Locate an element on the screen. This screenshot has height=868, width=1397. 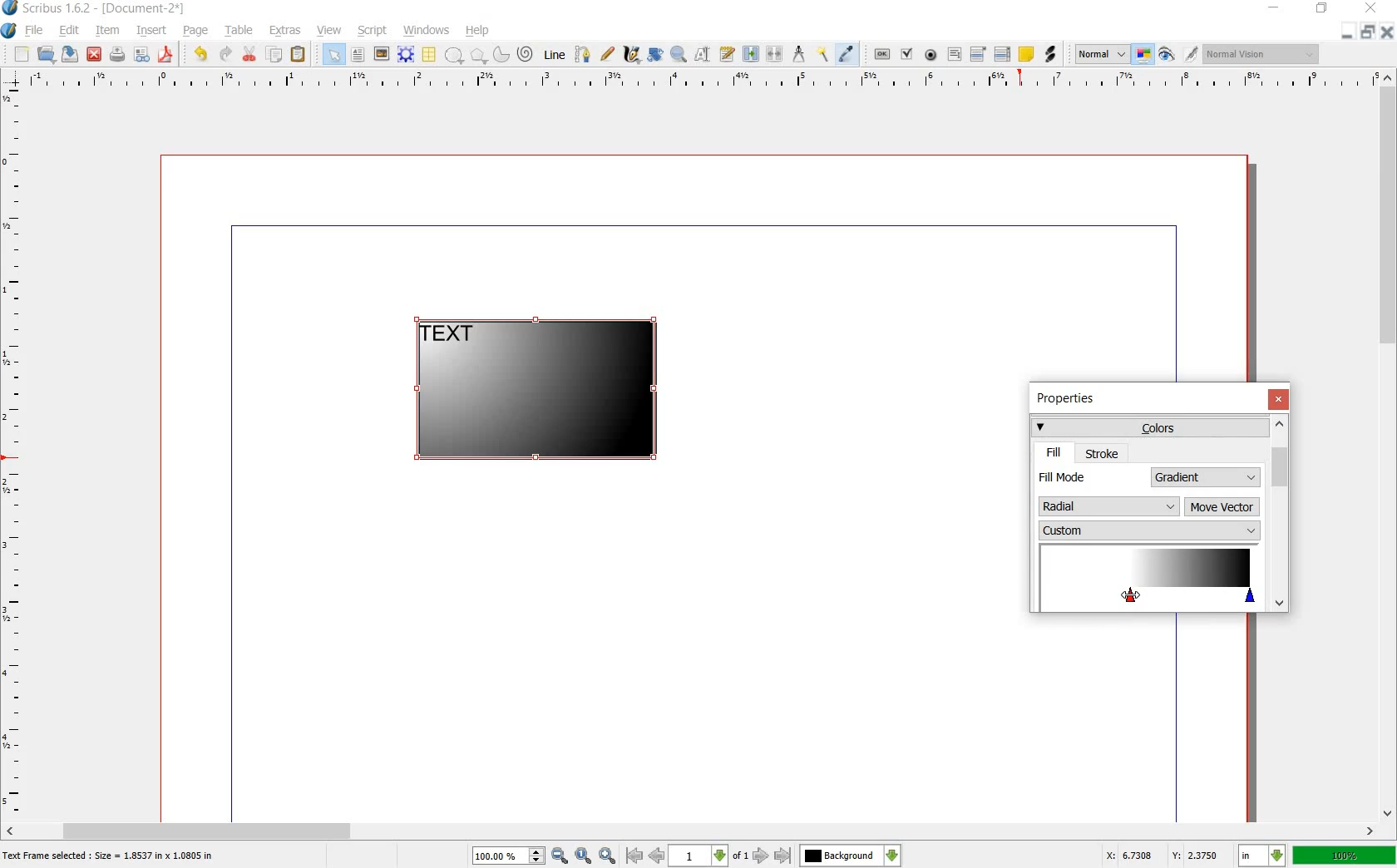
color stop is located at coordinates (1150, 577).